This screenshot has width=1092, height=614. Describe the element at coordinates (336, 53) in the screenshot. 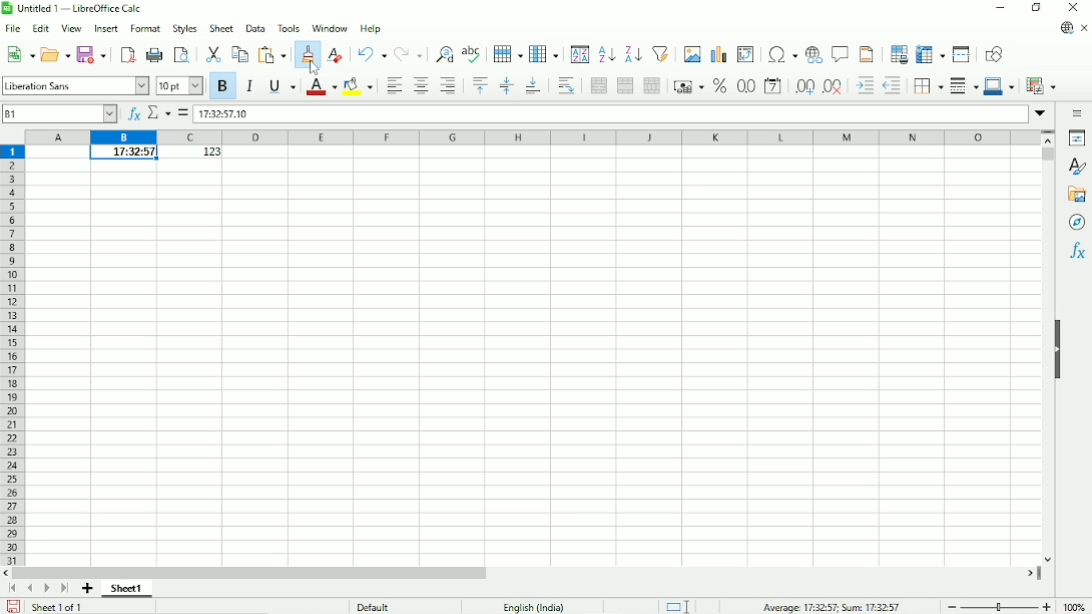

I see `Clear direct formatting` at that location.